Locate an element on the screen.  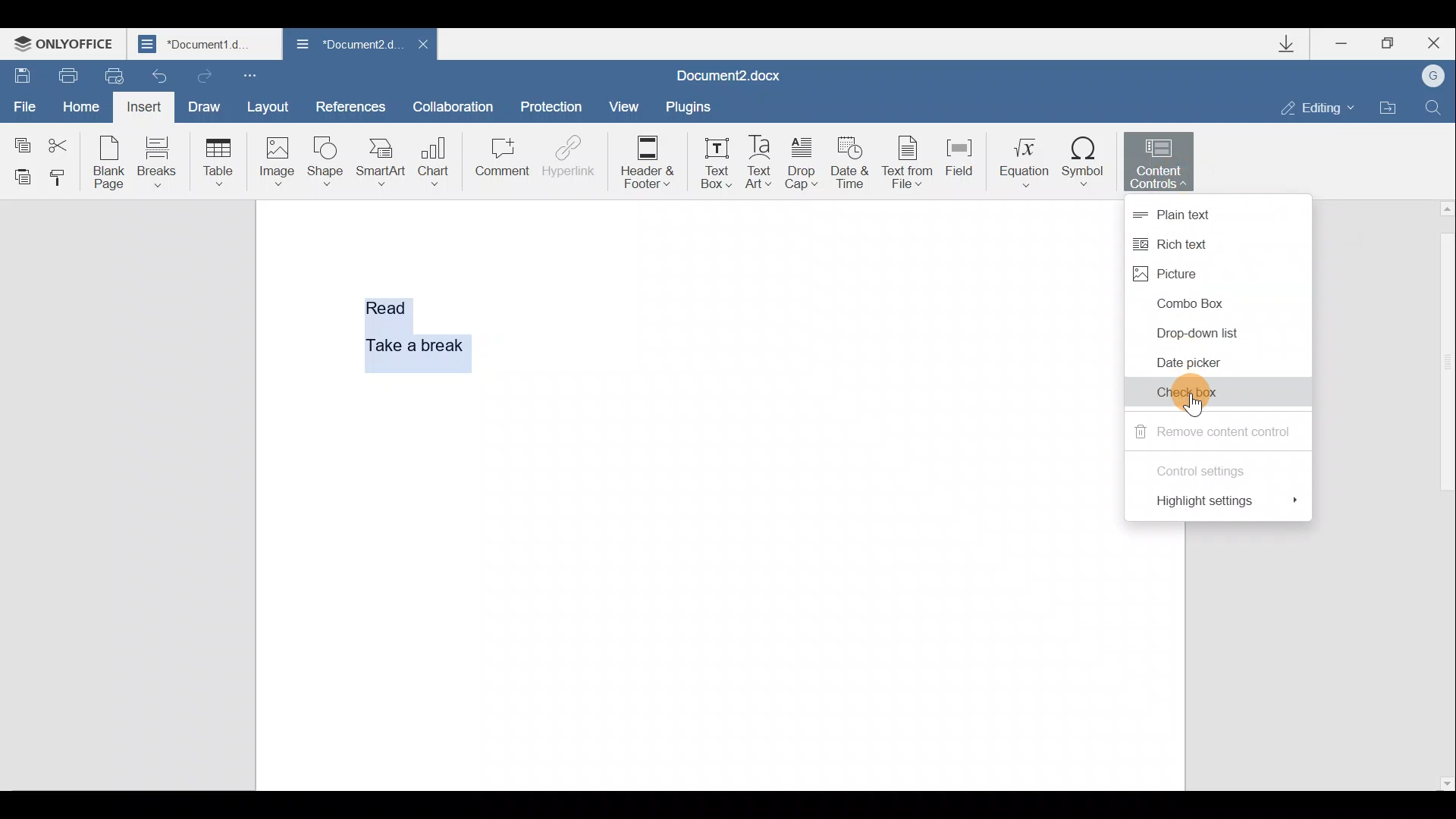
Text Art is located at coordinates (760, 163).